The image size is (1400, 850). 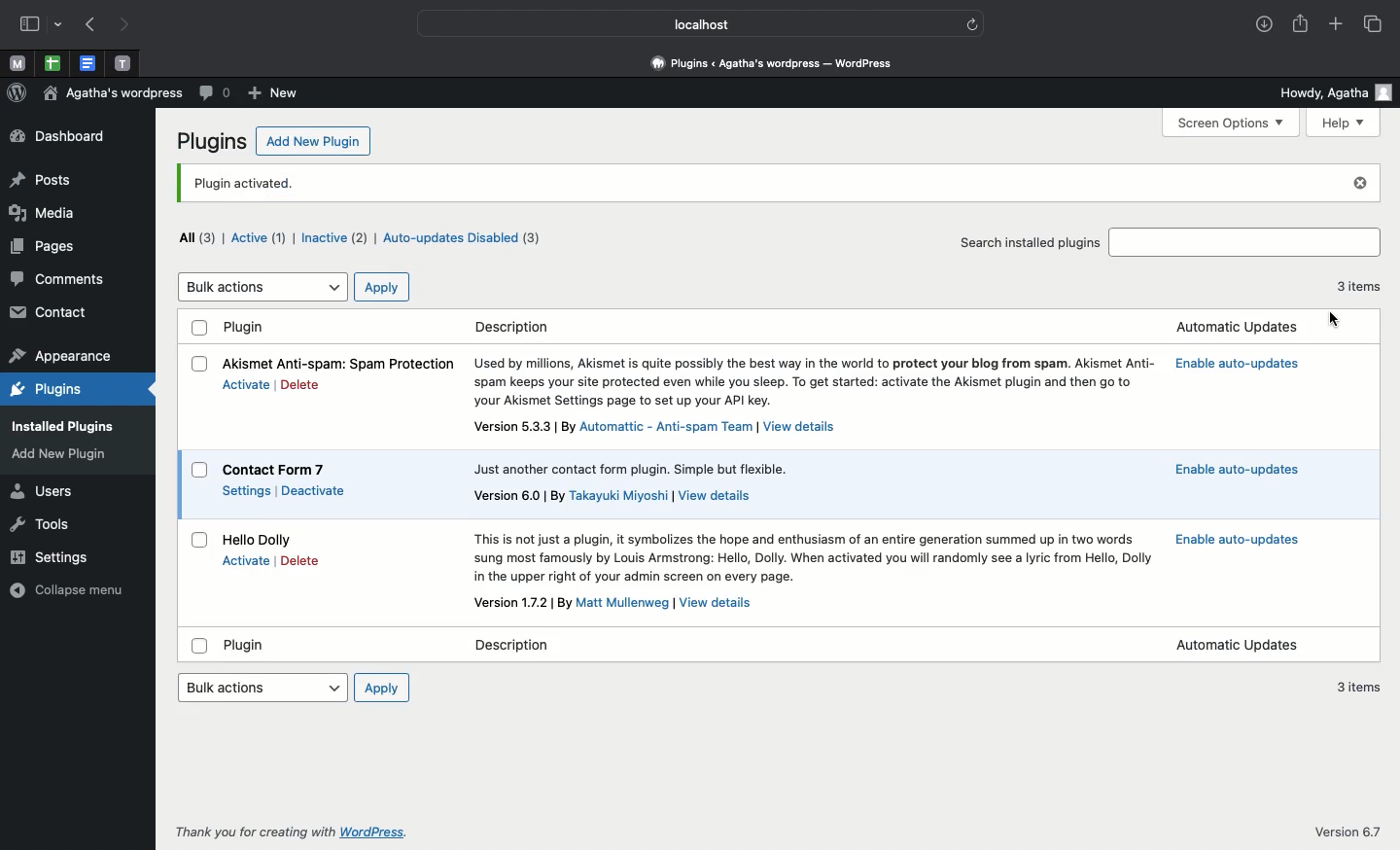 I want to click on pinned tabs, so click(x=53, y=63).